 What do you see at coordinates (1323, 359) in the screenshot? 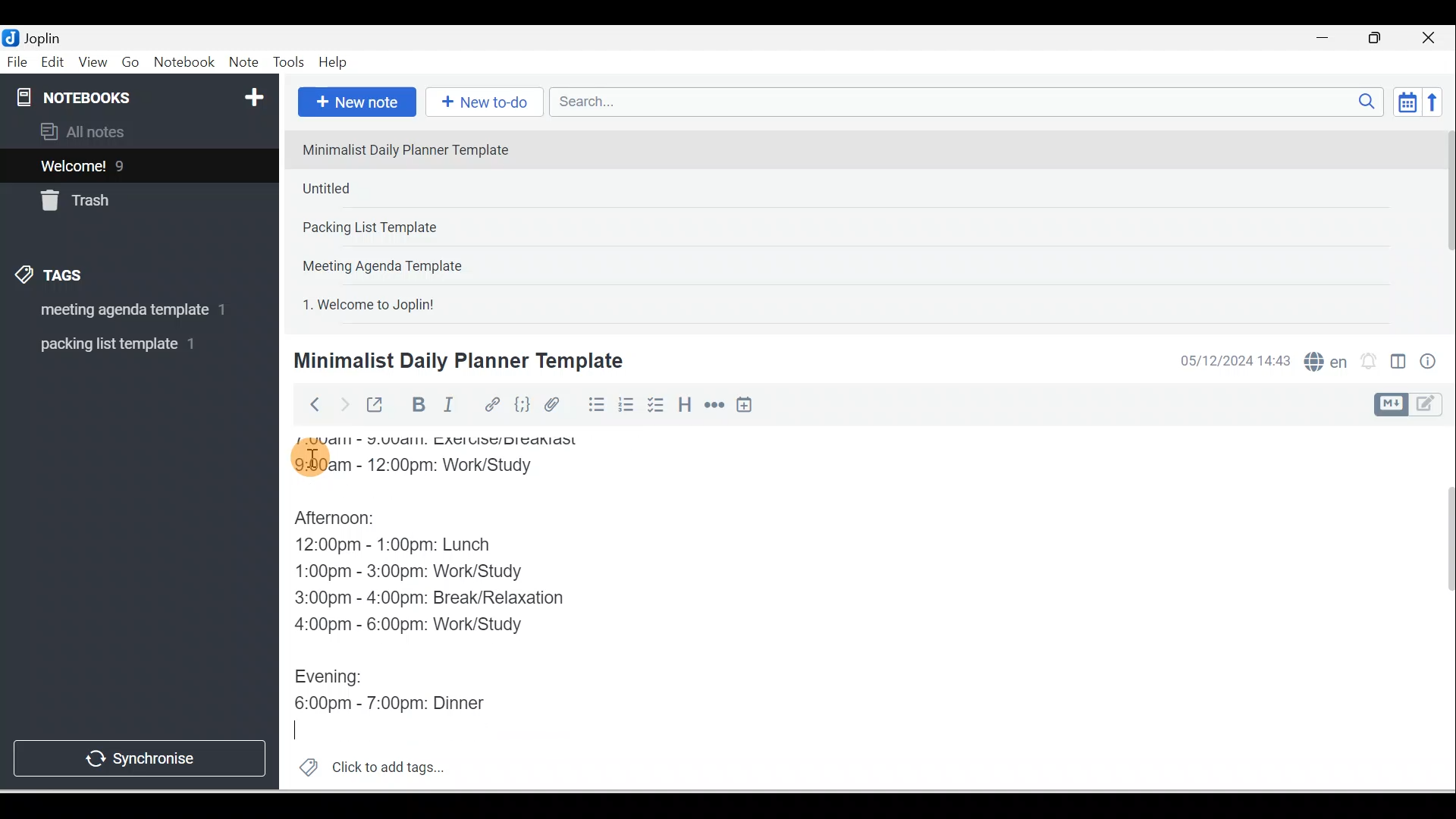
I see `Spelling` at bounding box center [1323, 359].